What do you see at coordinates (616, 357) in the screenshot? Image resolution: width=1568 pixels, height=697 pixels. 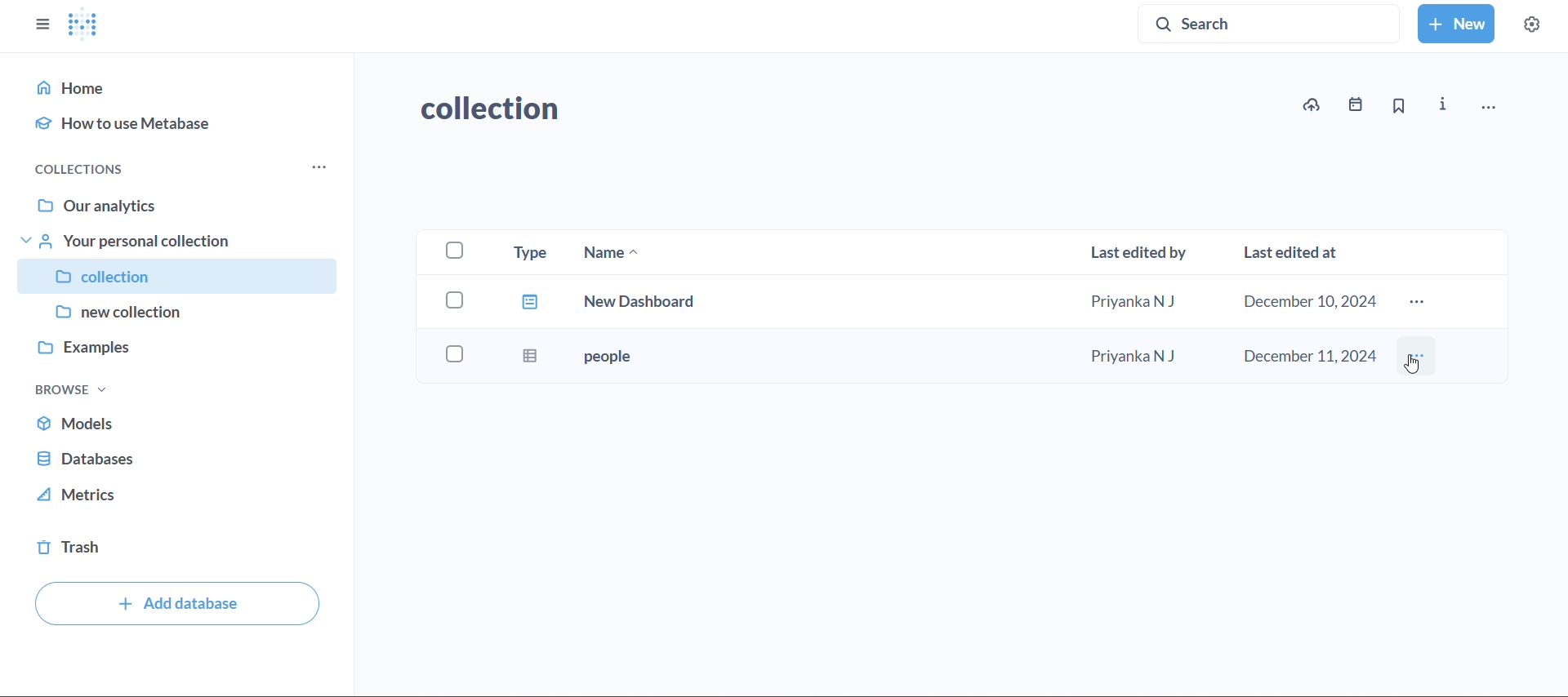 I see `people` at bounding box center [616, 357].